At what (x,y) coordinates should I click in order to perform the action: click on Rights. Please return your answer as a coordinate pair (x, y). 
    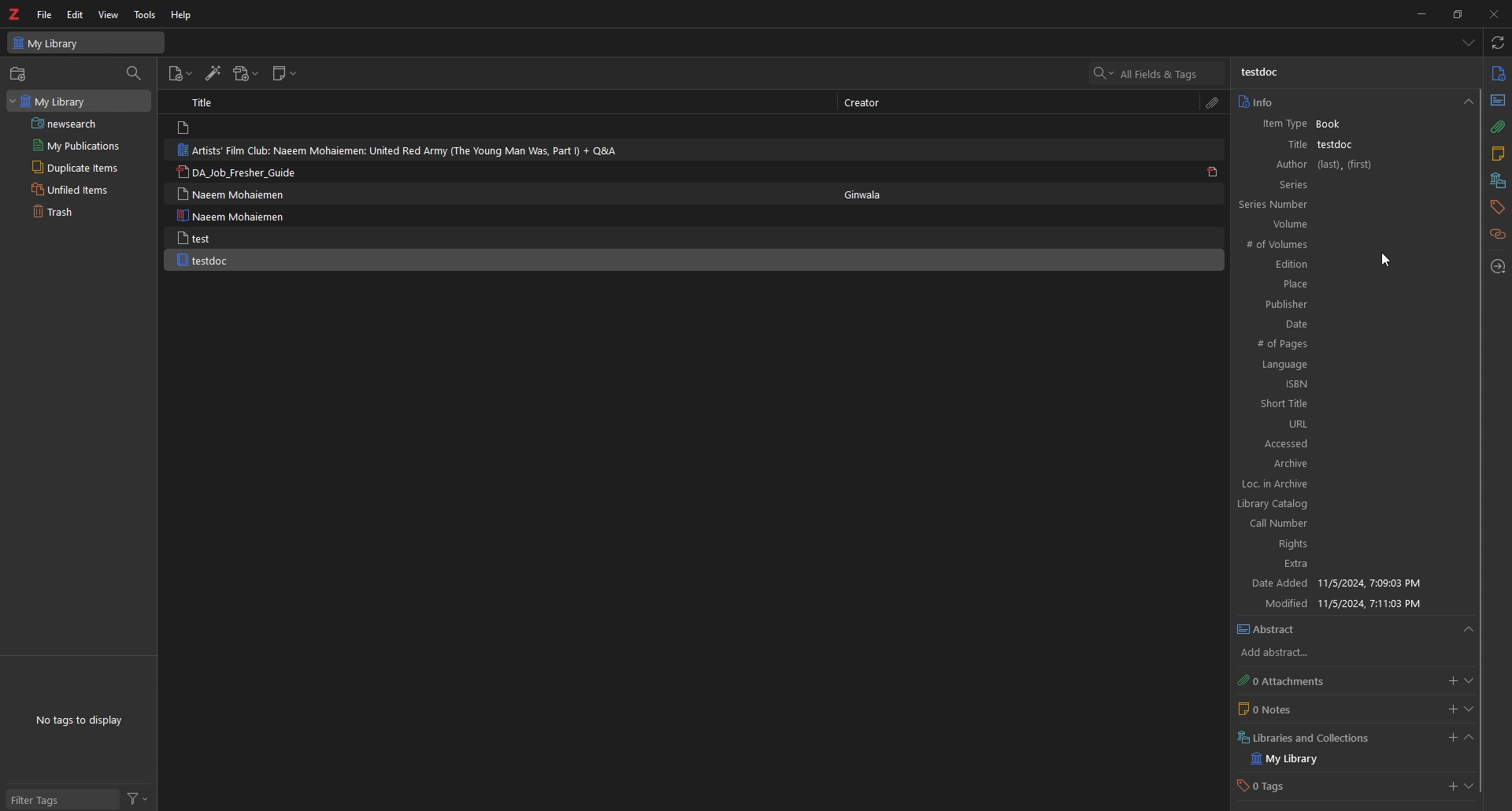
    Looking at the image, I should click on (1293, 545).